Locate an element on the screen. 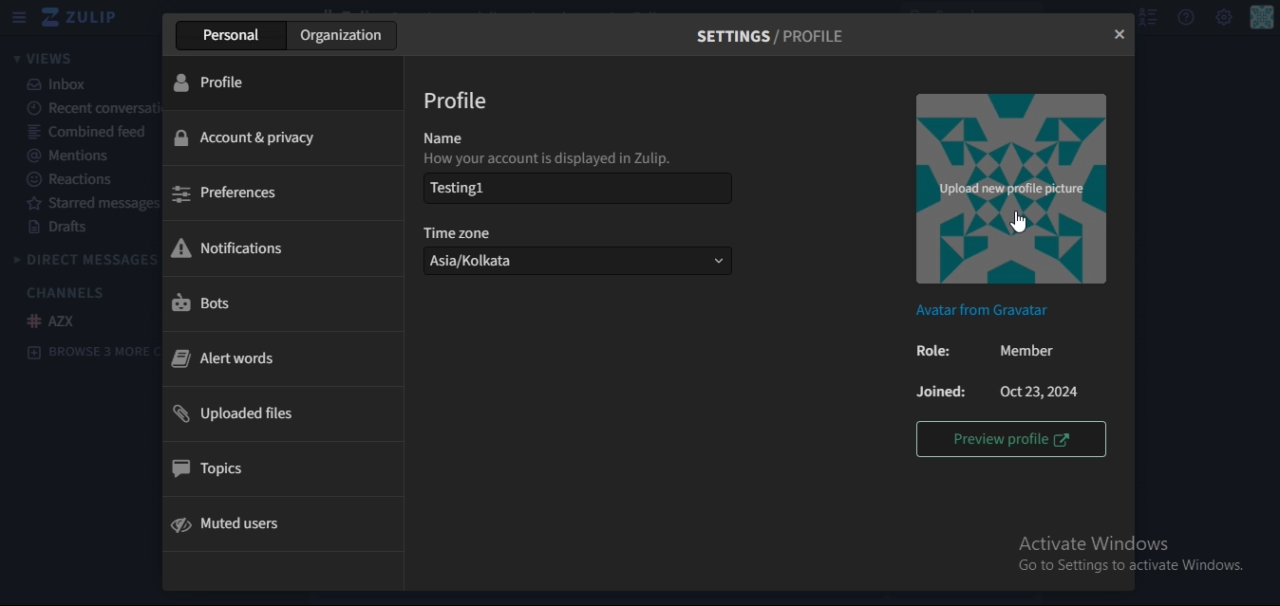 The image size is (1280, 606). personal menu is located at coordinates (1263, 18).